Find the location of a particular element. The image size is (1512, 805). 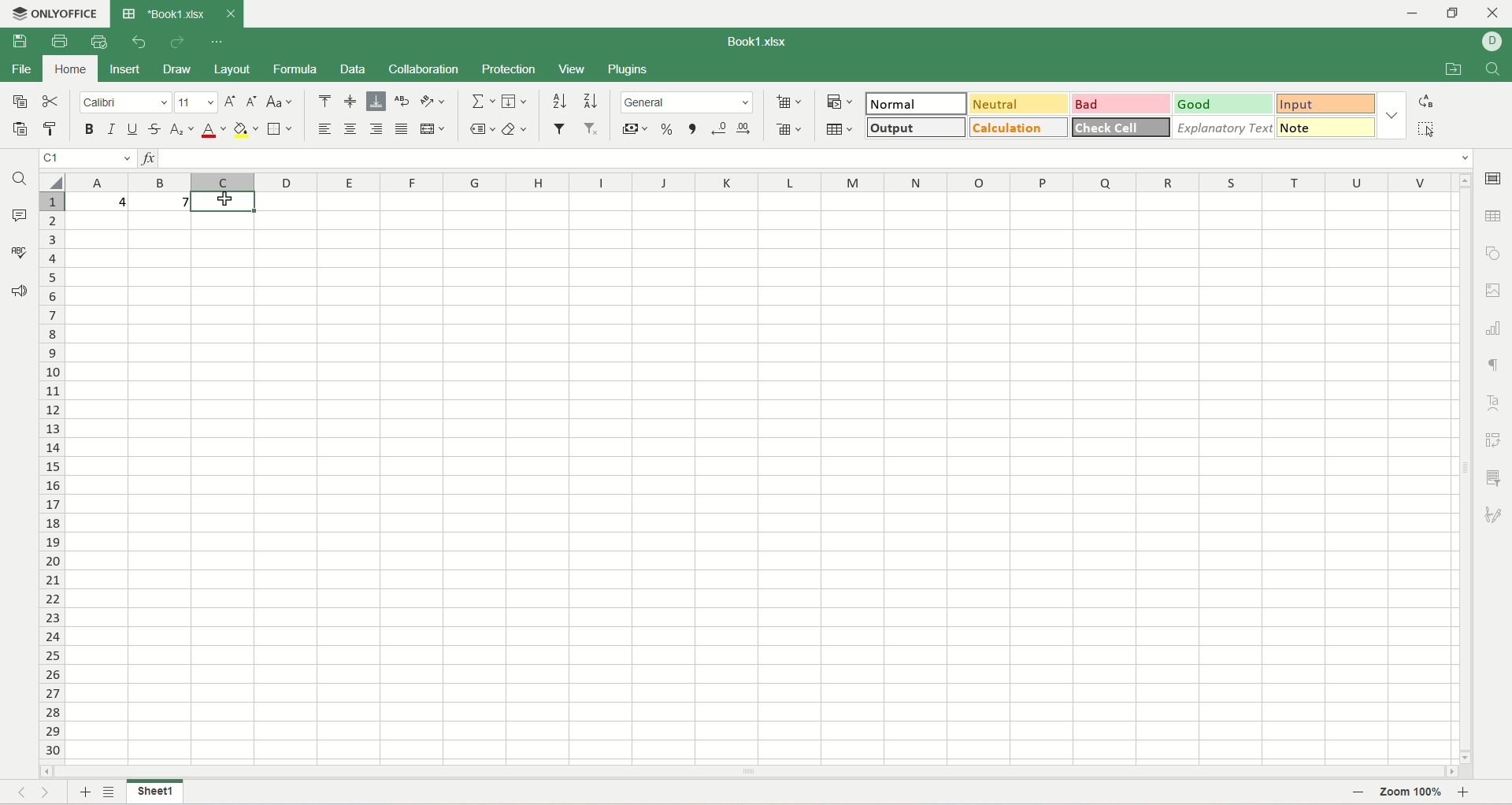

calibri is located at coordinates (125, 102).